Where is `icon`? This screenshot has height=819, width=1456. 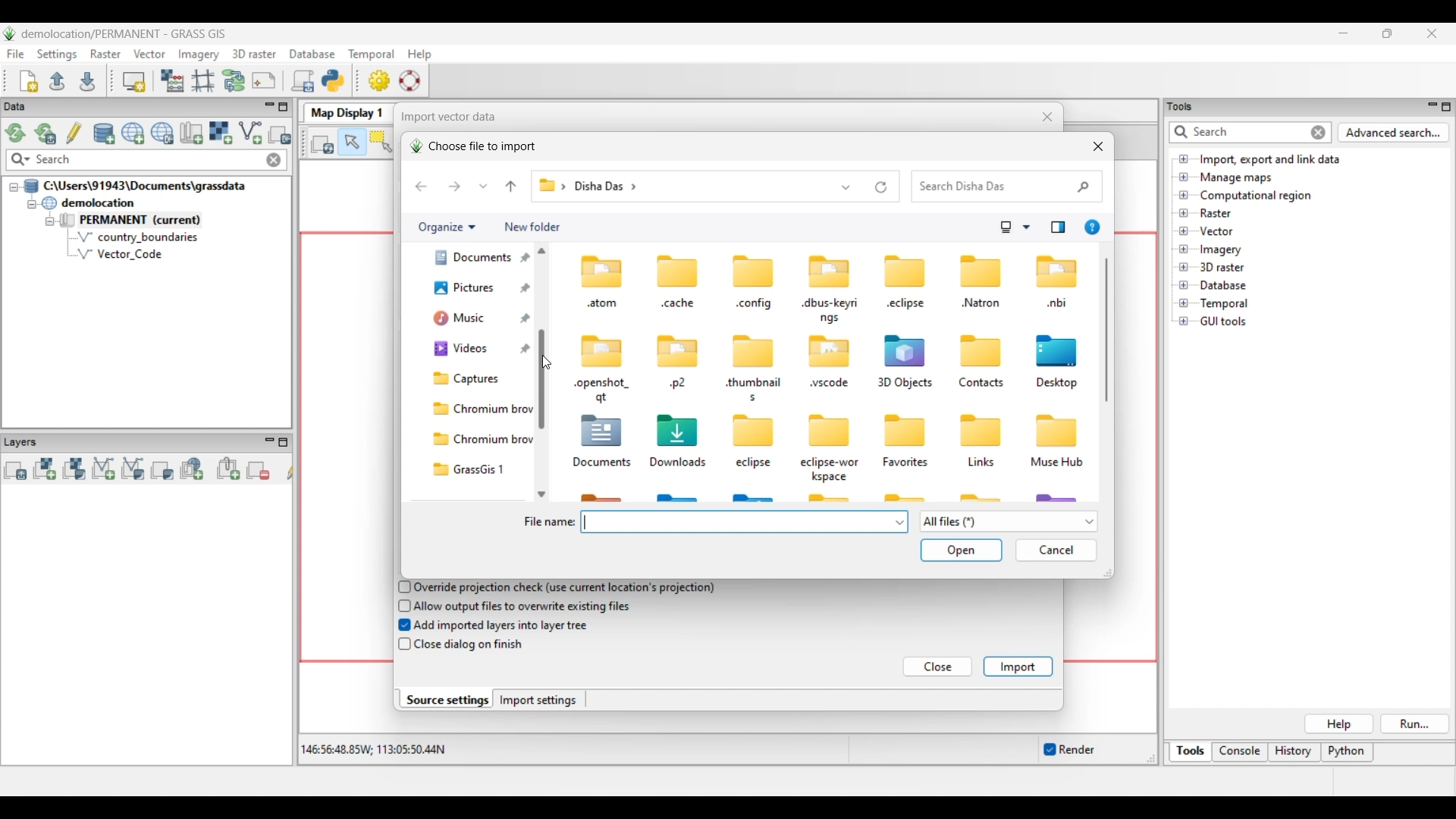 icon is located at coordinates (830, 431).